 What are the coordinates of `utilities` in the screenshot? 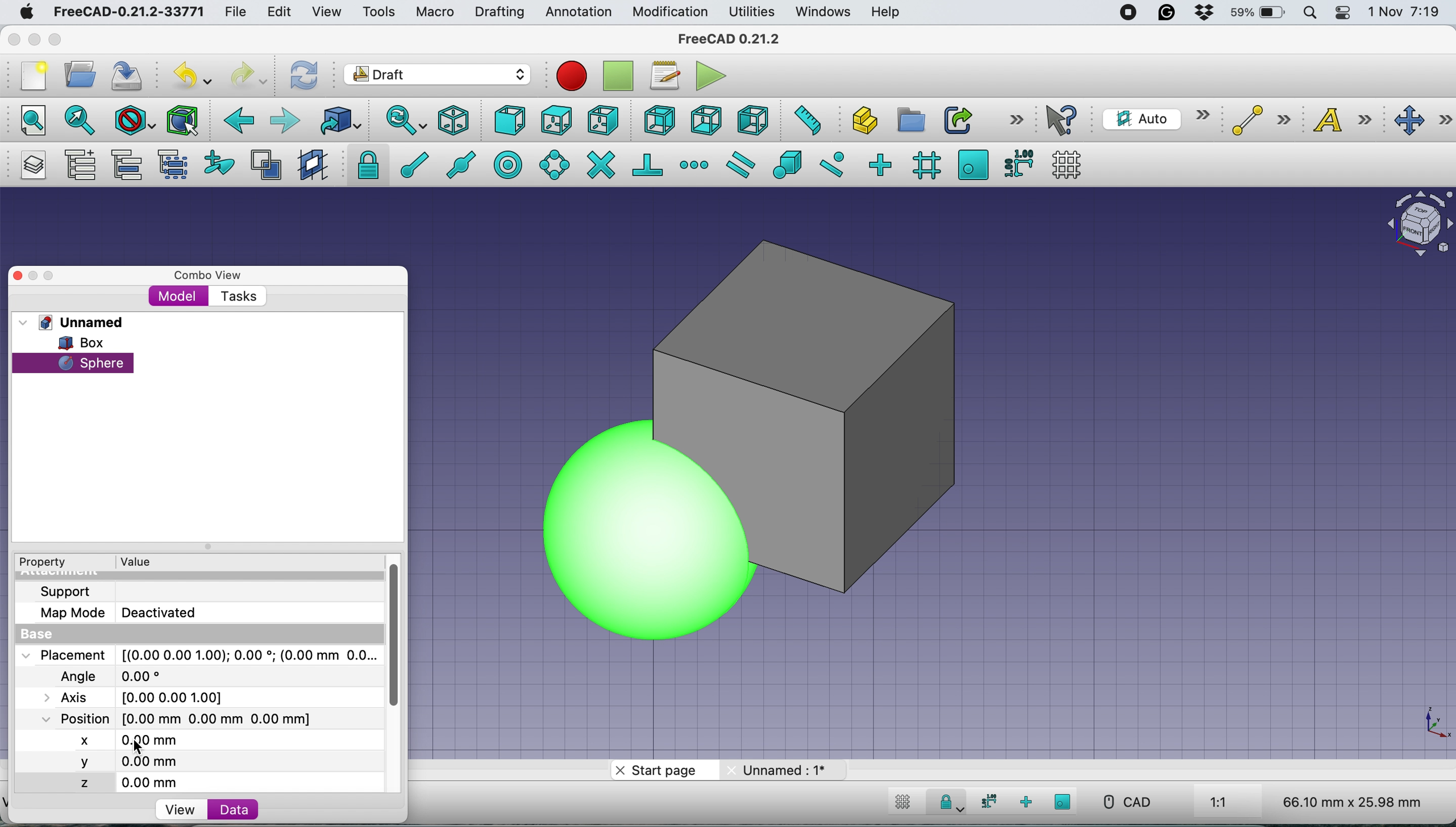 It's located at (753, 12).